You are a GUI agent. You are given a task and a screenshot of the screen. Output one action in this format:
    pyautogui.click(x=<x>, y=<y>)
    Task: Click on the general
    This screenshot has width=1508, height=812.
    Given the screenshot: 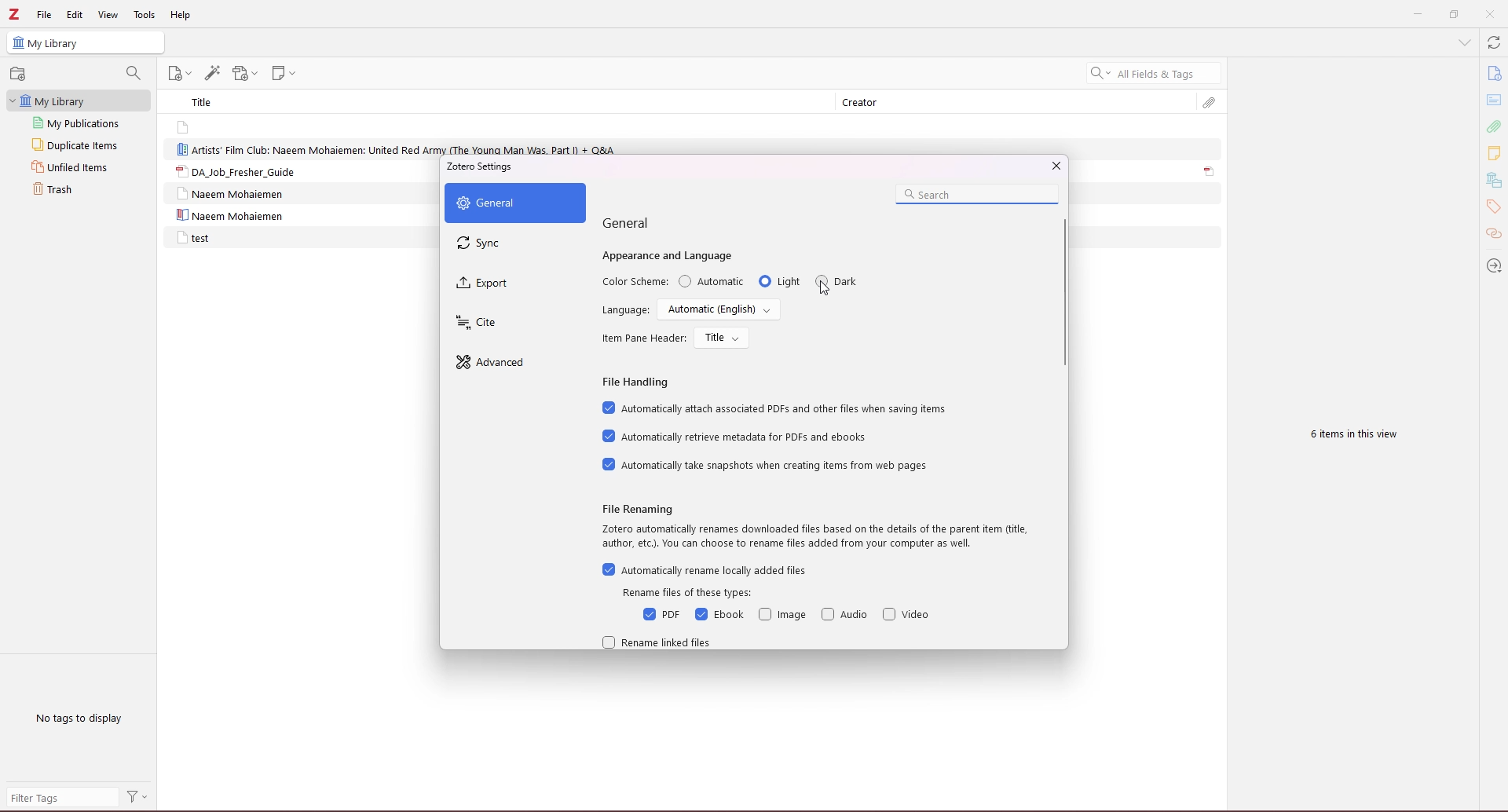 What is the action you would take?
    pyautogui.click(x=514, y=203)
    